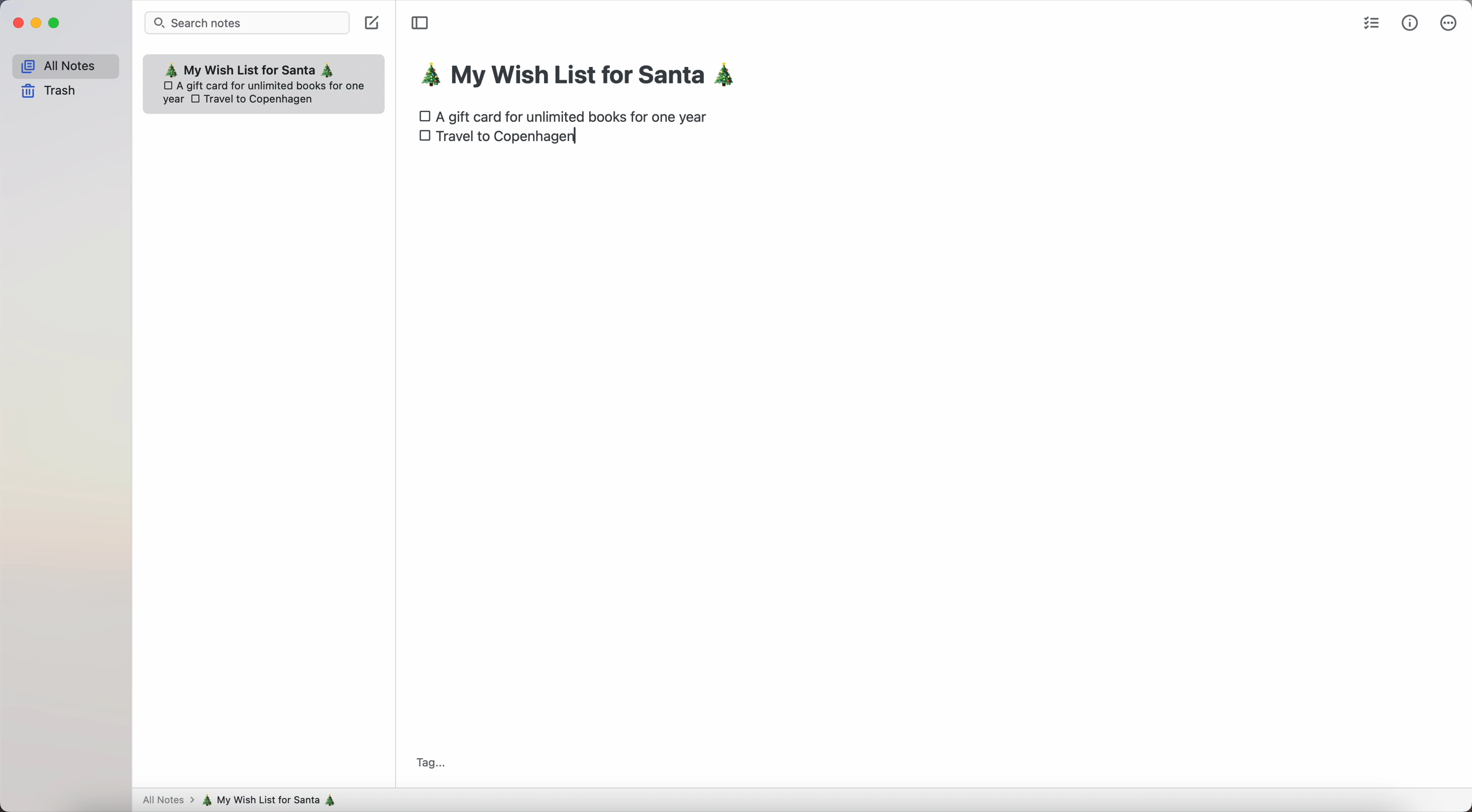 Image resolution: width=1472 pixels, height=812 pixels. What do you see at coordinates (36, 24) in the screenshot?
I see `minimize Simplenote` at bounding box center [36, 24].